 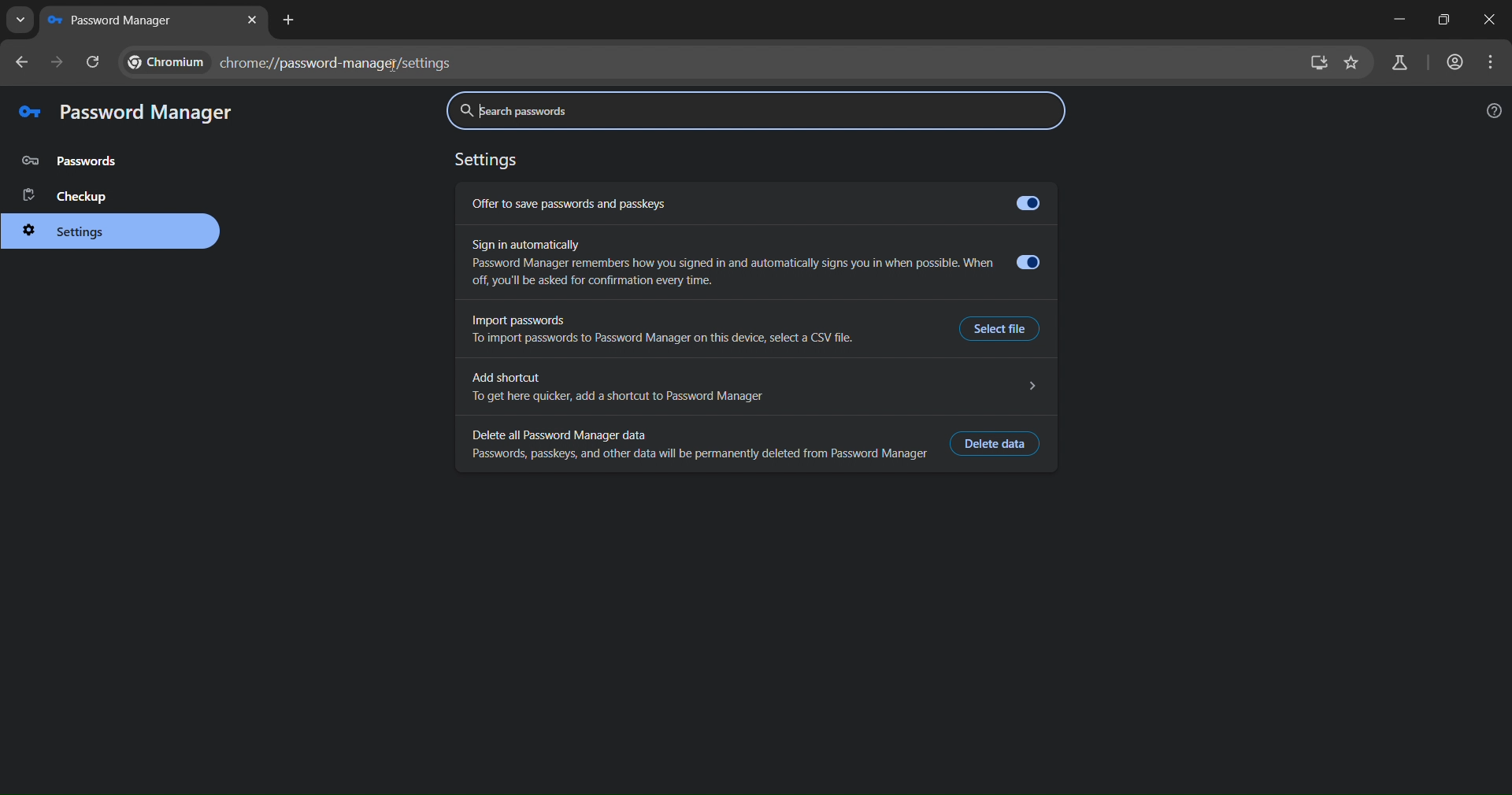 What do you see at coordinates (72, 162) in the screenshot?
I see `passwords` at bounding box center [72, 162].